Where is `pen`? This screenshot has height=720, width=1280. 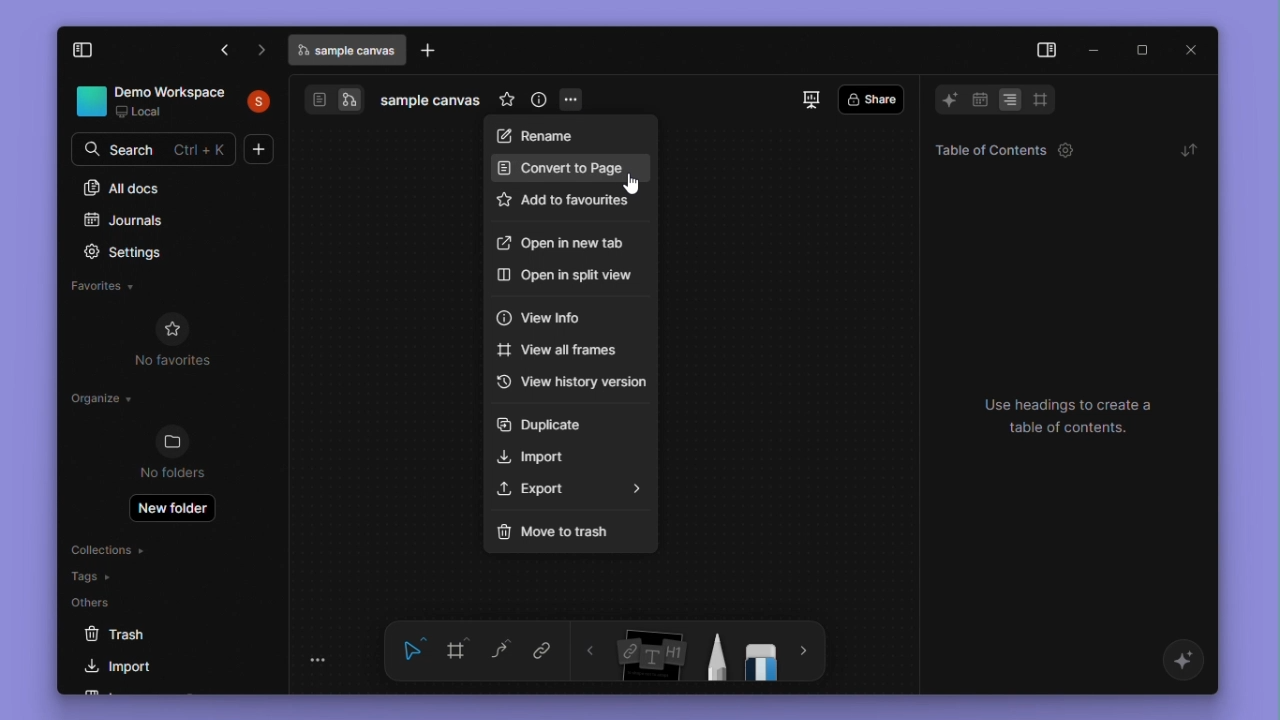
pen is located at coordinates (714, 657).